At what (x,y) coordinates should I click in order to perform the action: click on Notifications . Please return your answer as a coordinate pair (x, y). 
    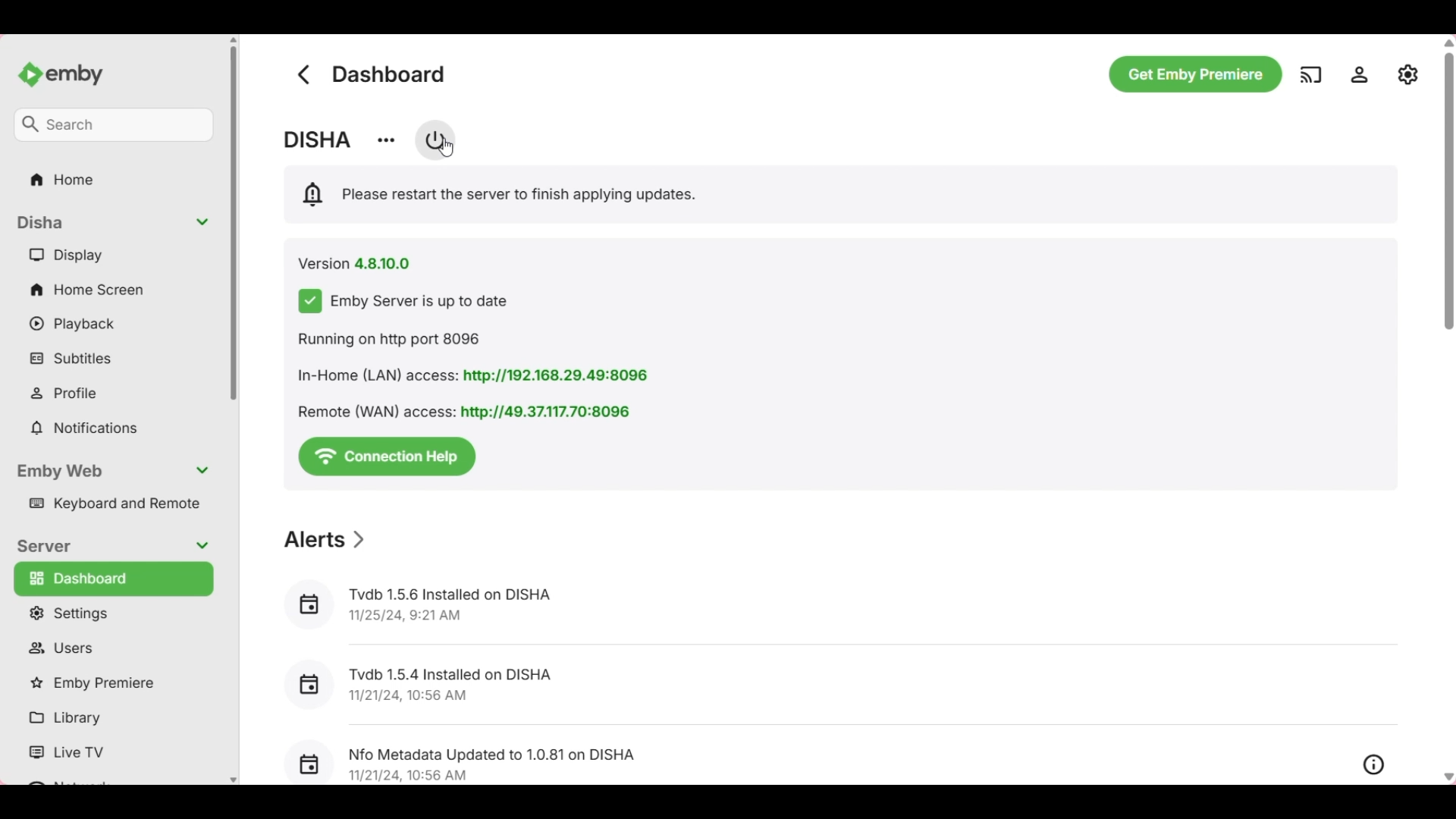
    Looking at the image, I should click on (113, 428).